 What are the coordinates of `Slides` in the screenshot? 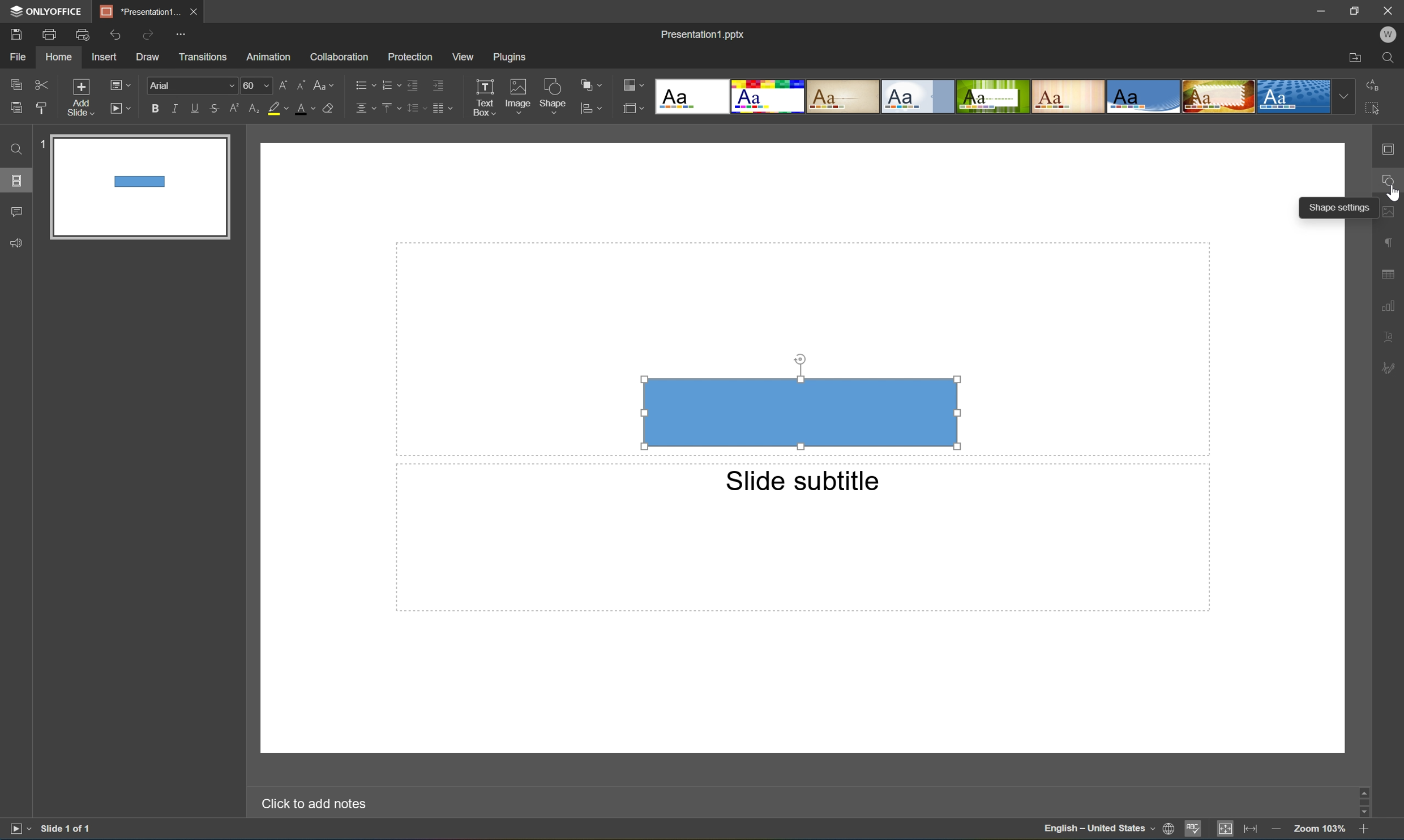 It's located at (16, 179).